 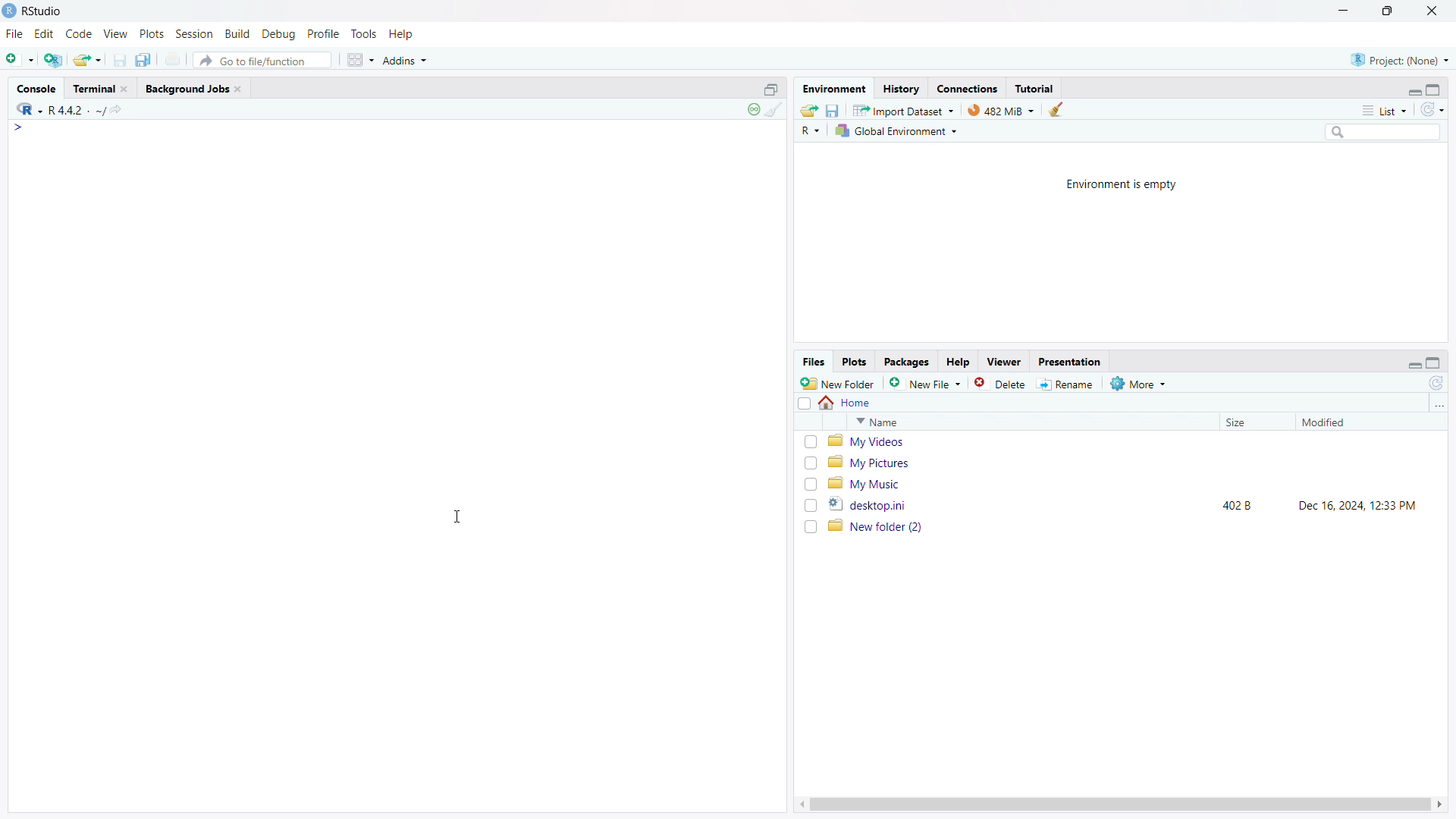 What do you see at coordinates (1034, 88) in the screenshot?
I see `tutorial` at bounding box center [1034, 88].